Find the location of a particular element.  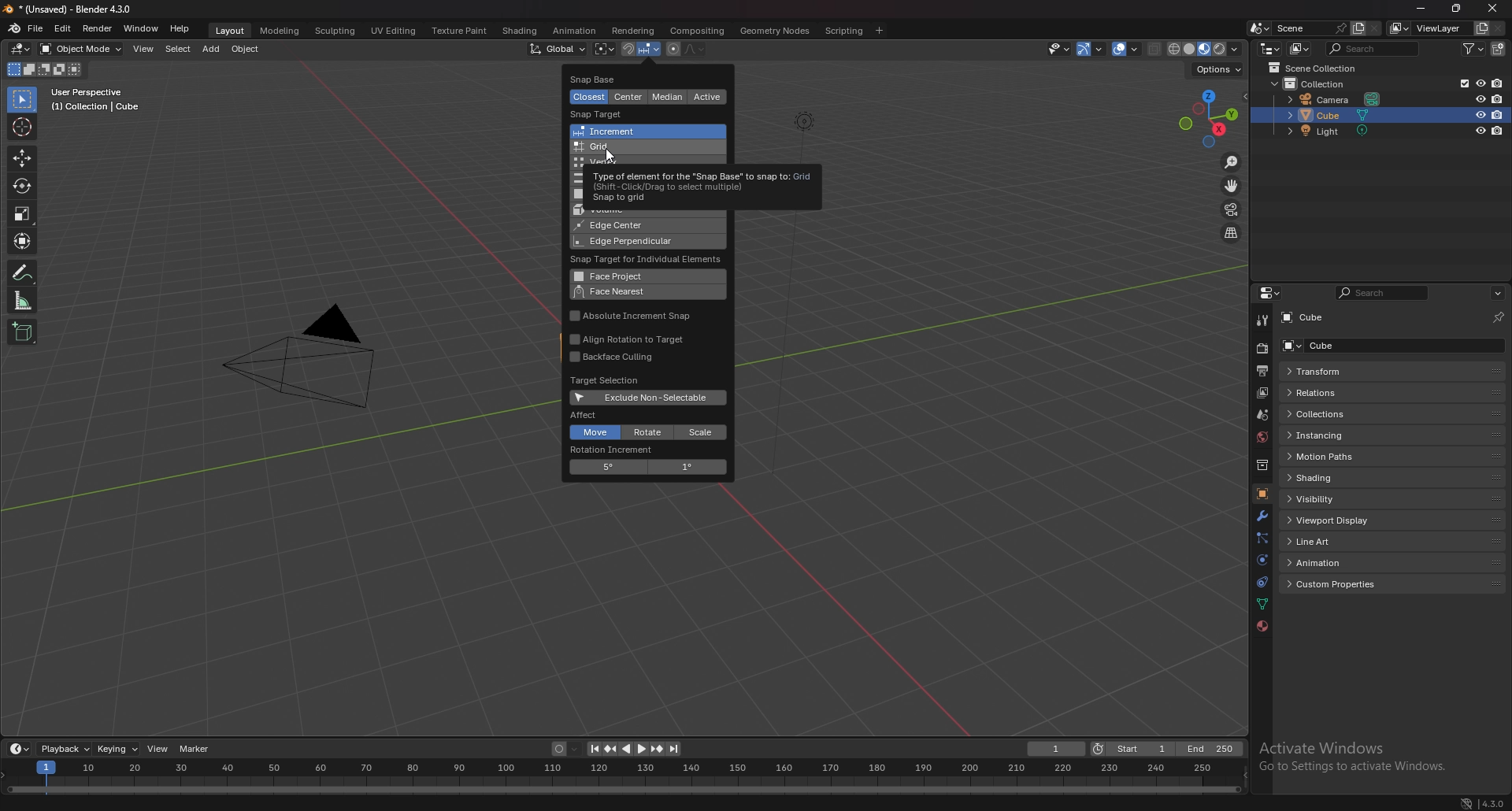

display mode is located at coordinates (1299, 48).